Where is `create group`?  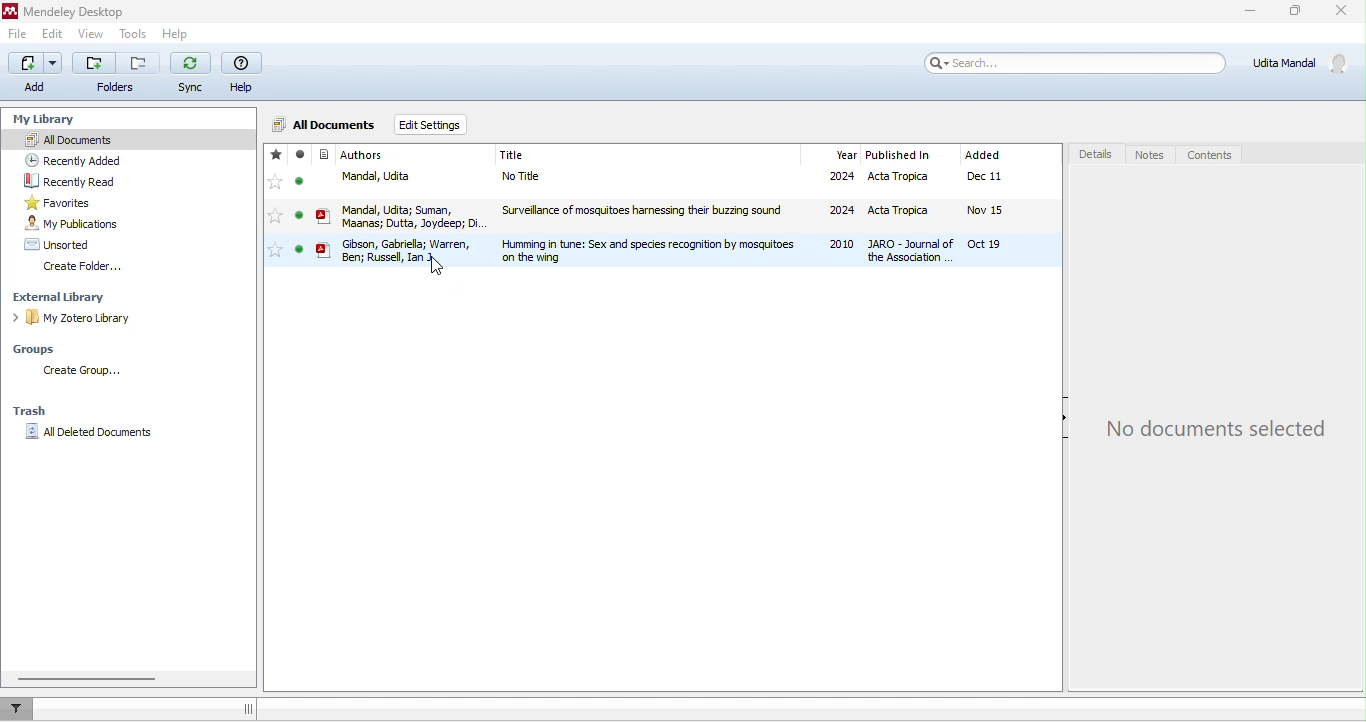 create group is located at coordinates (93, 373).